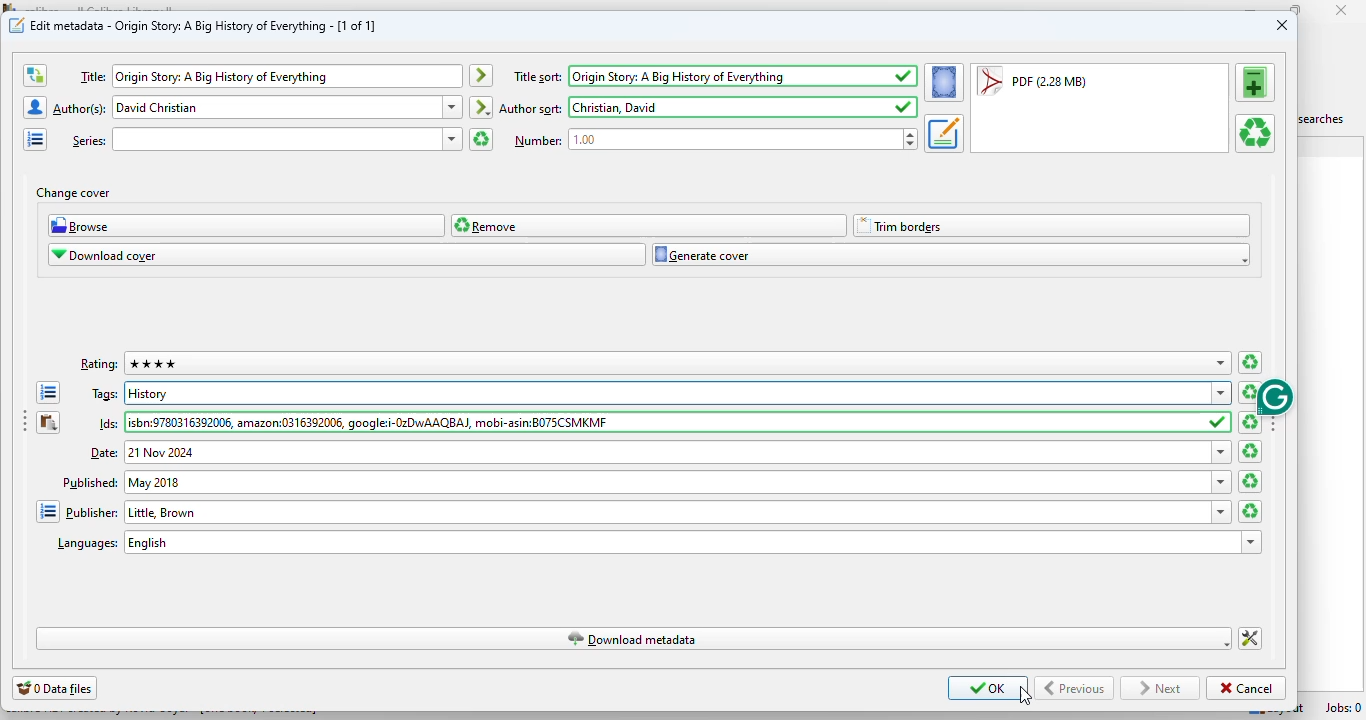  What do you see at coordinates (47, 511) in the screenshot?
I see `open the manage publishers editor` at bounding box center [47, 511].